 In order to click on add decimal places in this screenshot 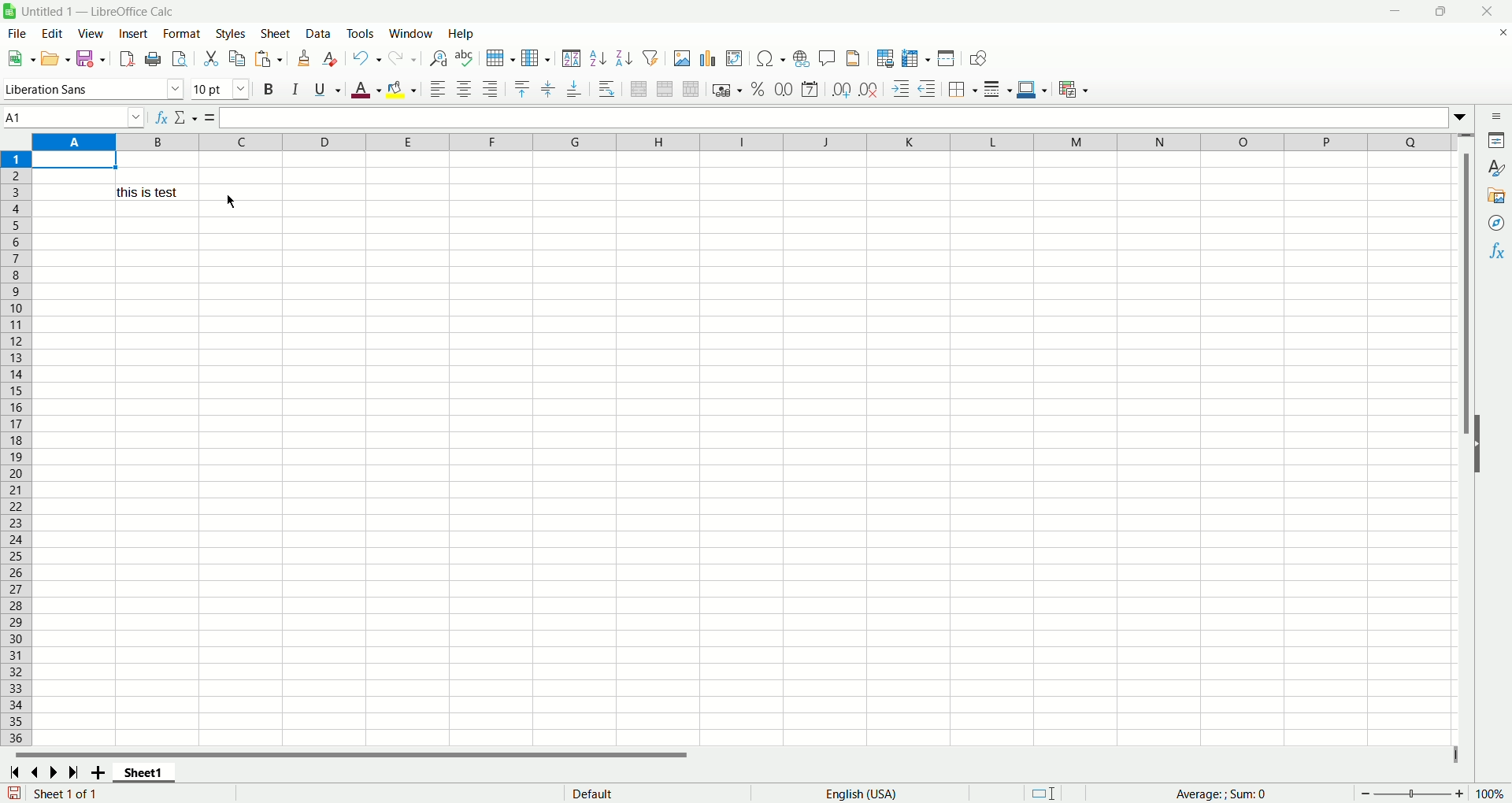, I will do `click(840, 90)`.